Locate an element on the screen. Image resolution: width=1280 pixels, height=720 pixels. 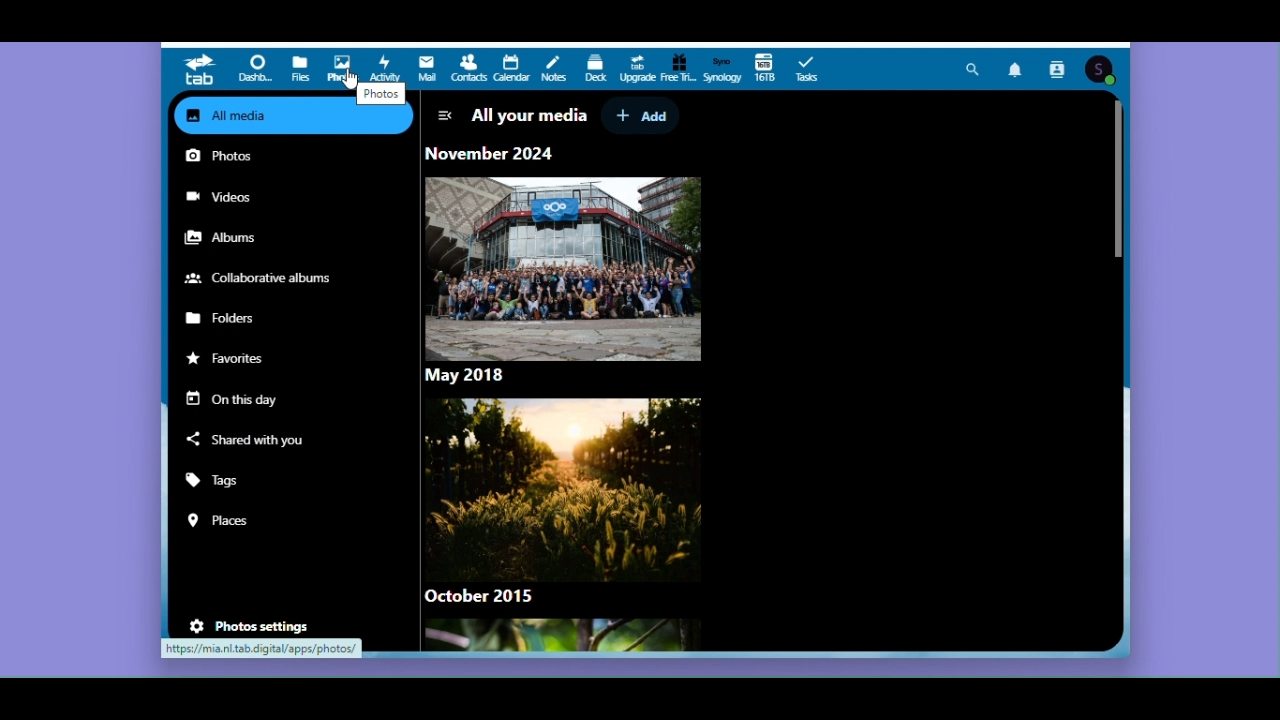
Image is located at coordinates (563, 267).